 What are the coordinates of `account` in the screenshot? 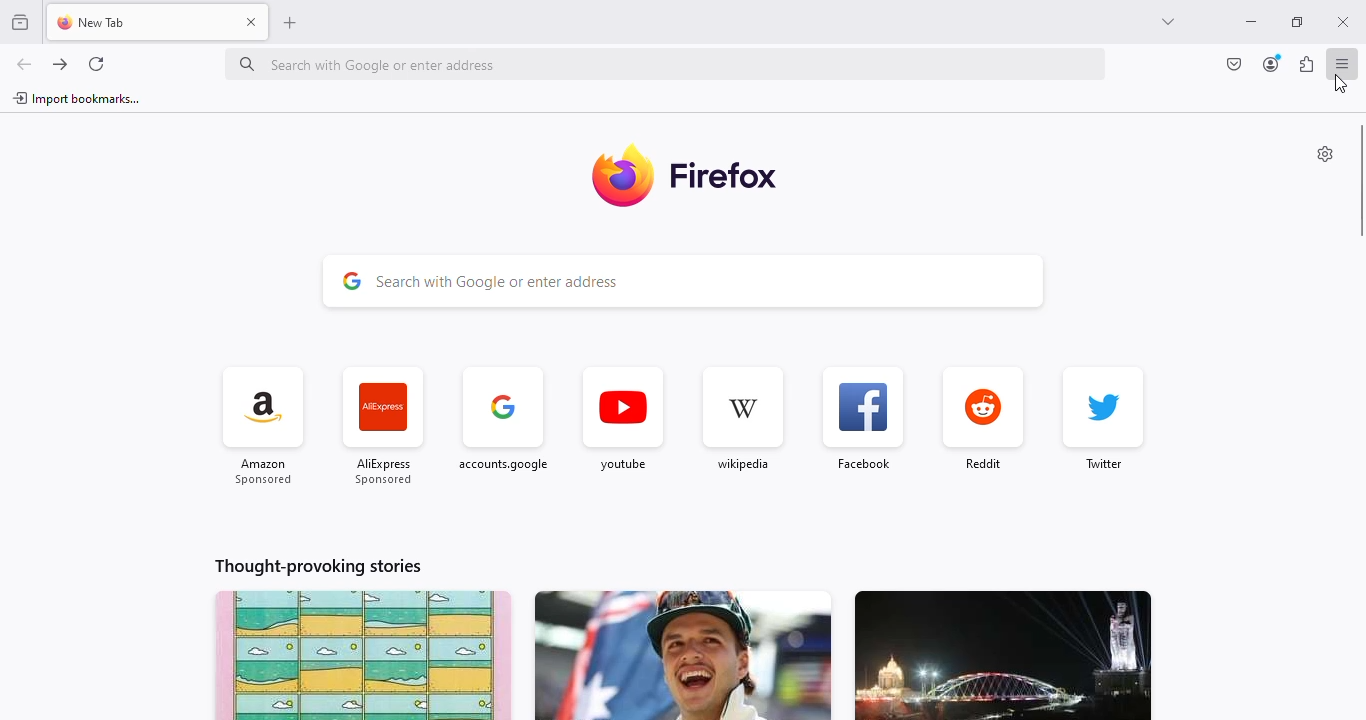 It's located at (1273, 63).